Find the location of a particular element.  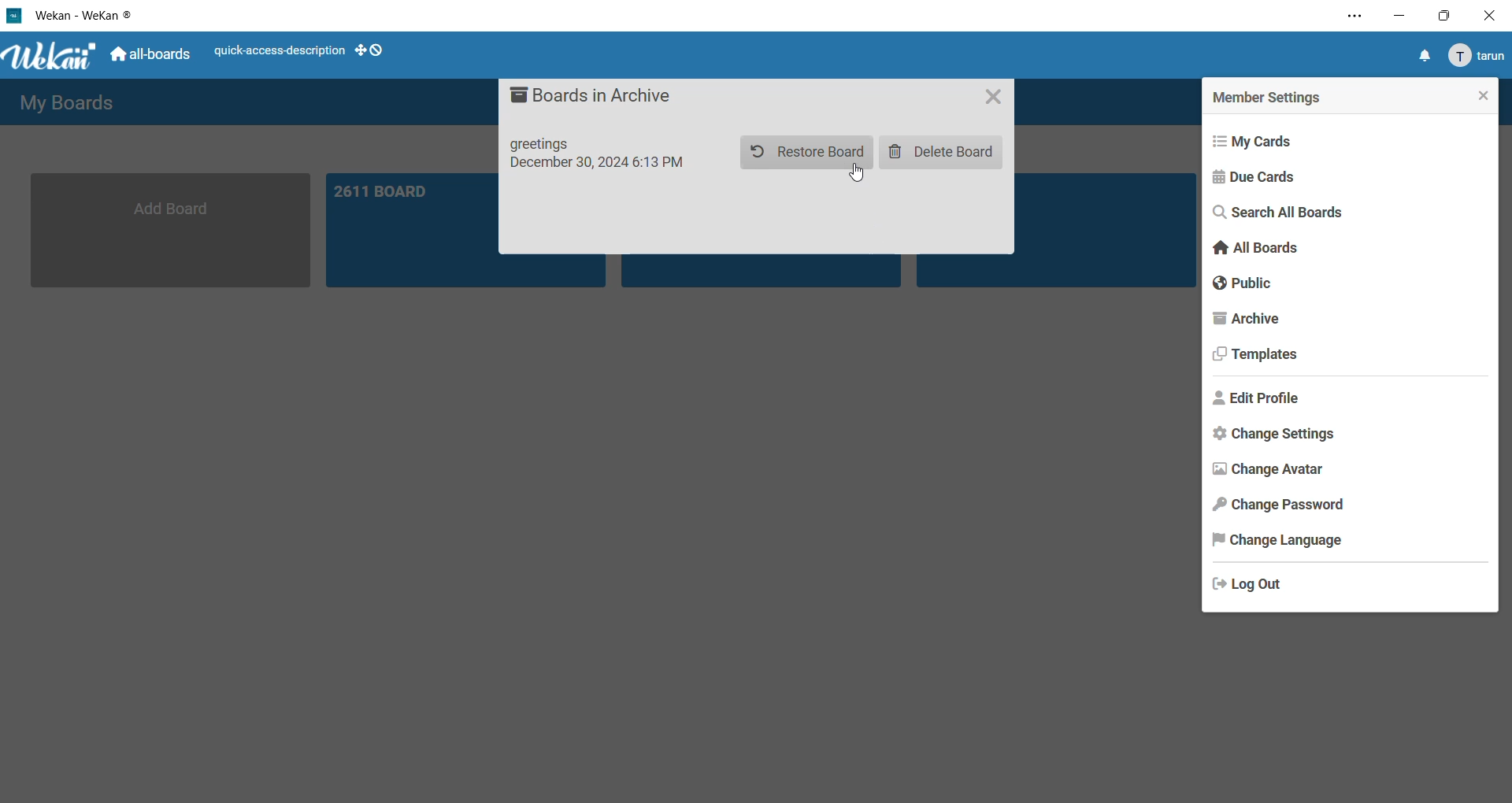

change avatar is located at coordinates (1266, 468).